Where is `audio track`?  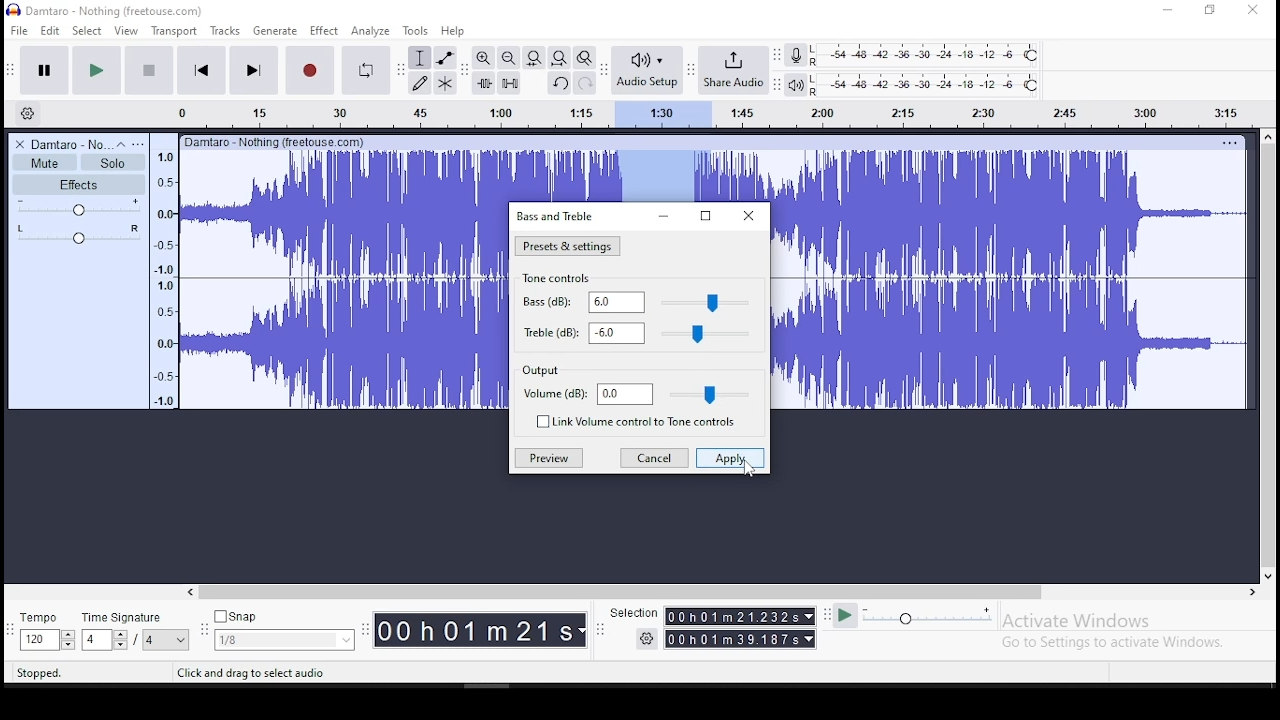 audio track is located at coordinates (1011, 213).